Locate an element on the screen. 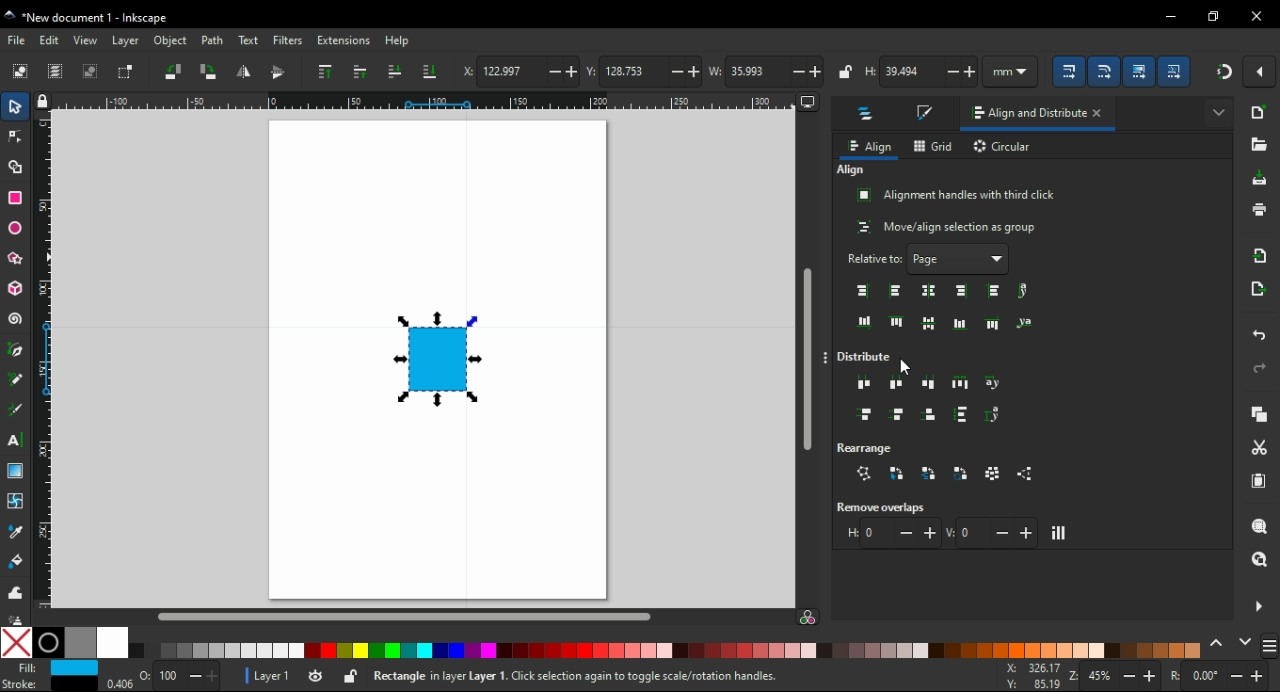  minimum horizontal gap between bounding box is located at coordinates (891, 533).